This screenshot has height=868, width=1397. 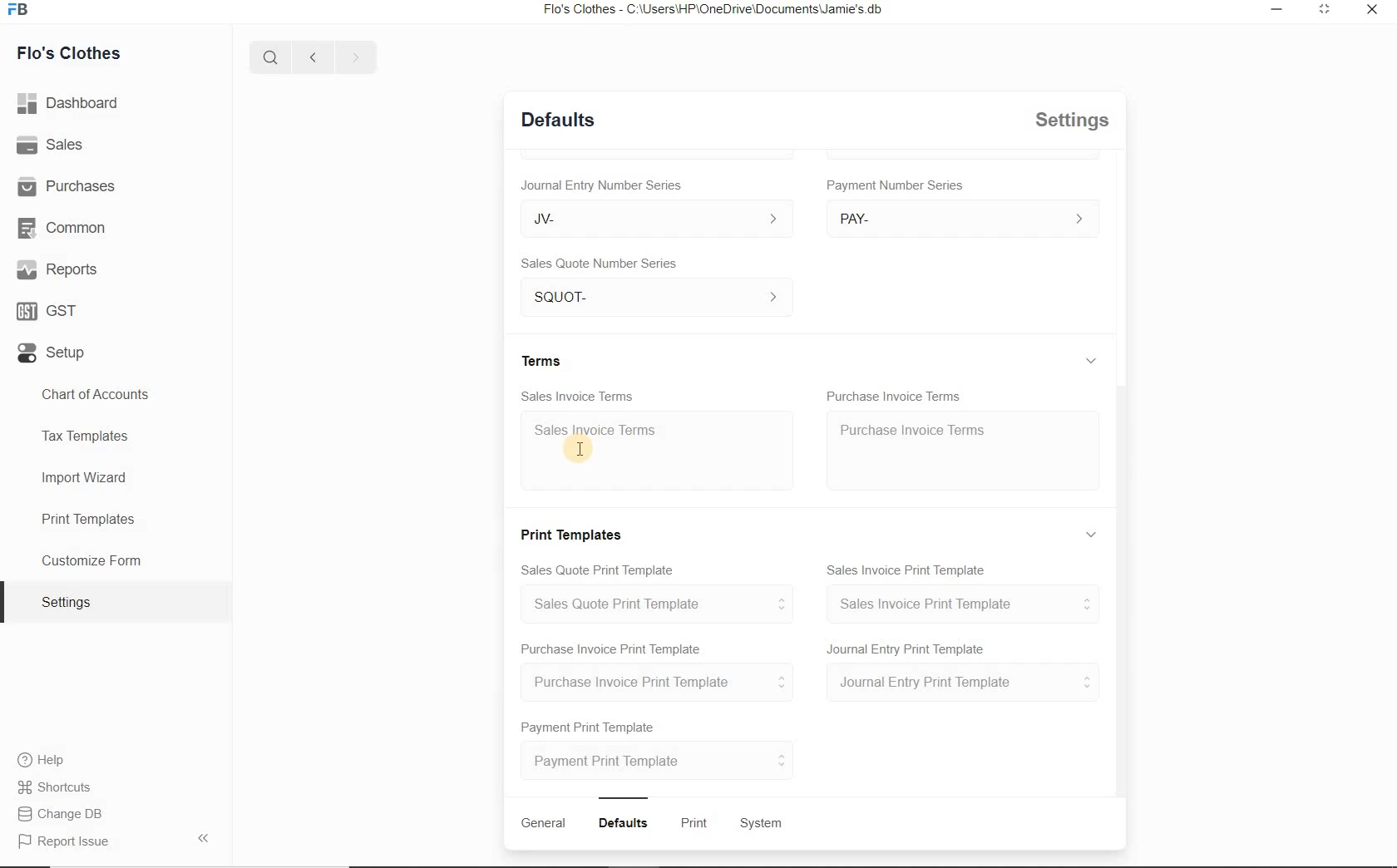 What do you see at coordinates (73, 602) in the screenshot?
I see `Settings` at bounding box center [73, 602].